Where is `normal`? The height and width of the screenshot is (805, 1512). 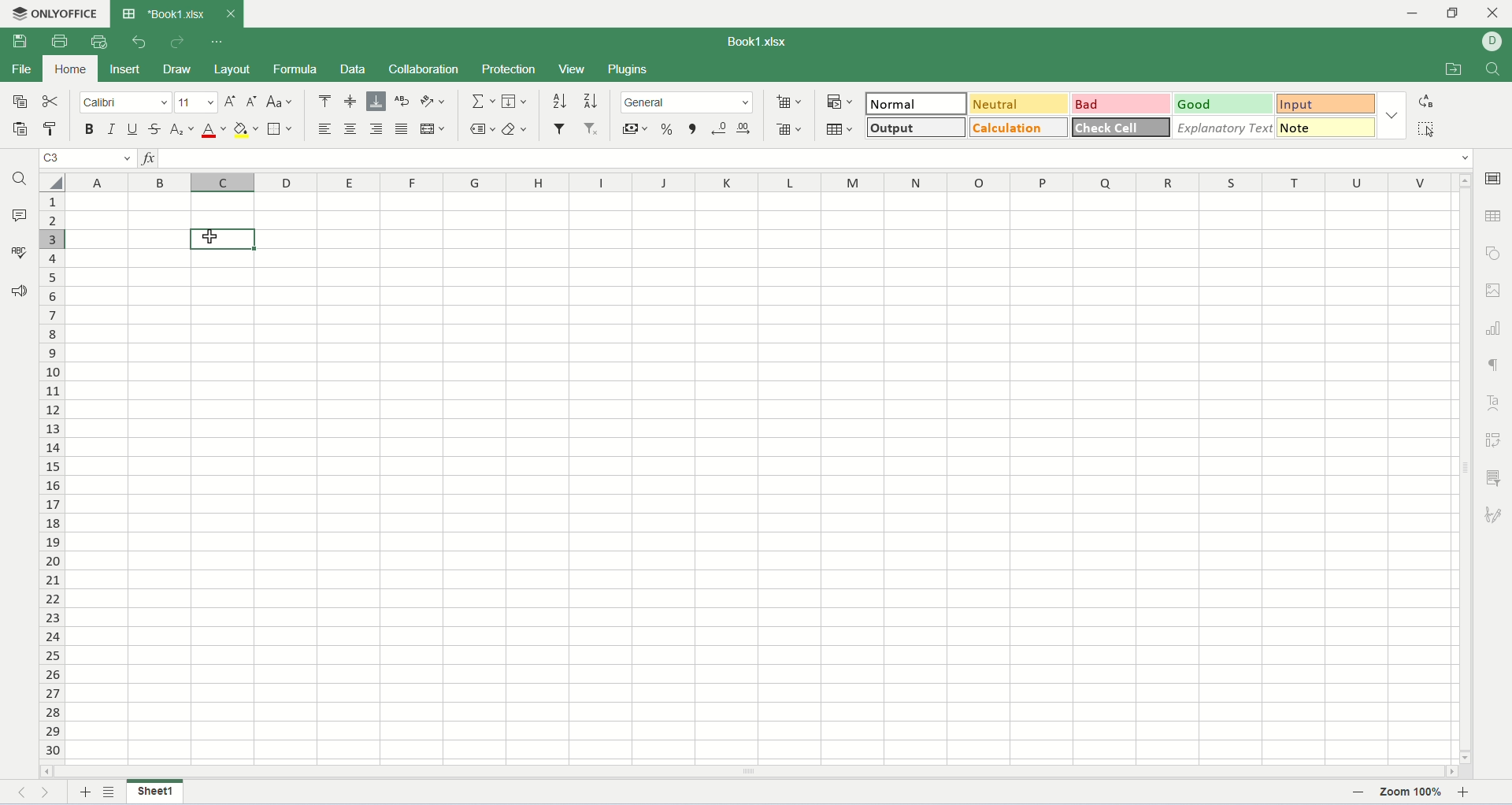 normal is located at coordinates (915, 106).